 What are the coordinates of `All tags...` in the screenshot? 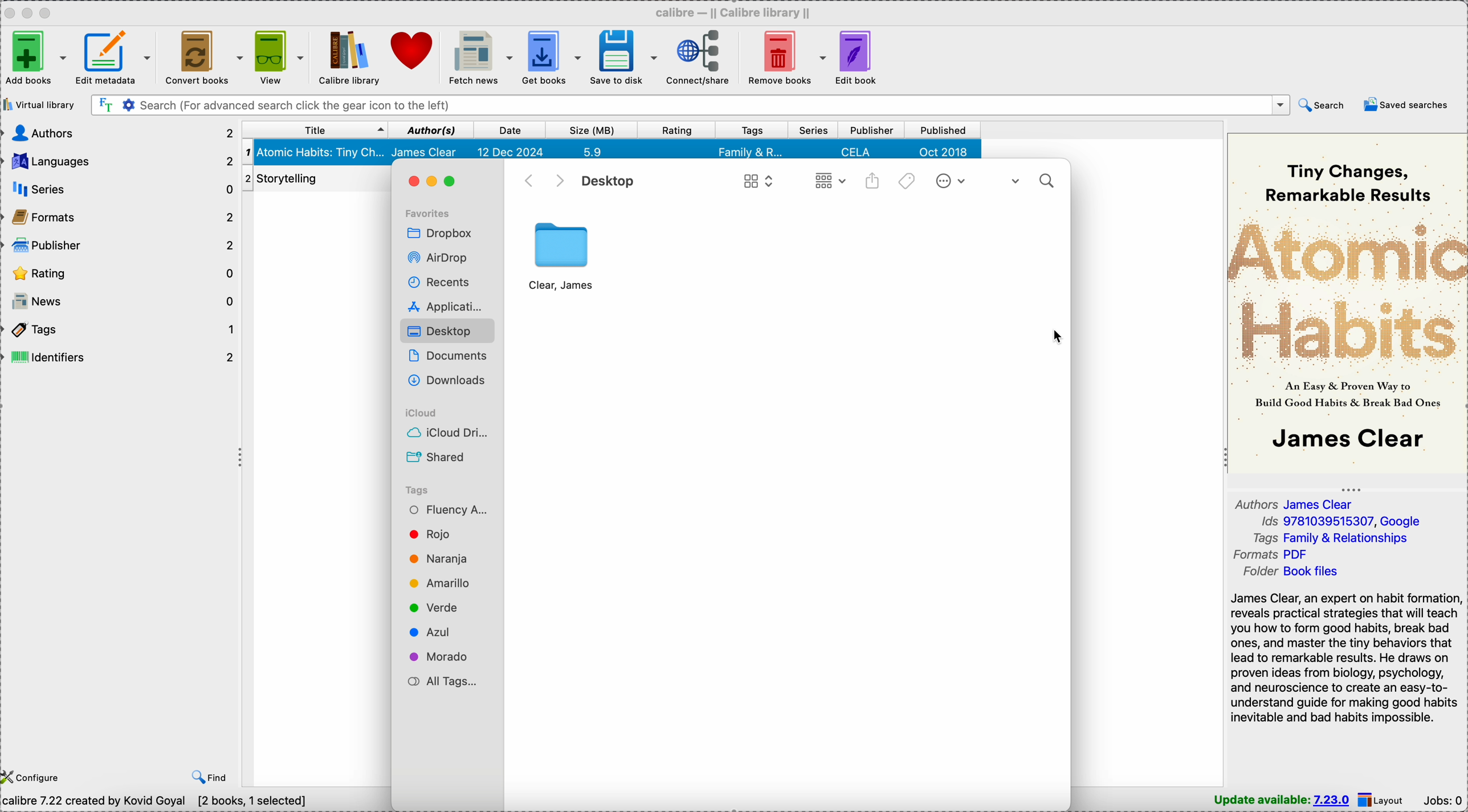 It's located at (441, 682).